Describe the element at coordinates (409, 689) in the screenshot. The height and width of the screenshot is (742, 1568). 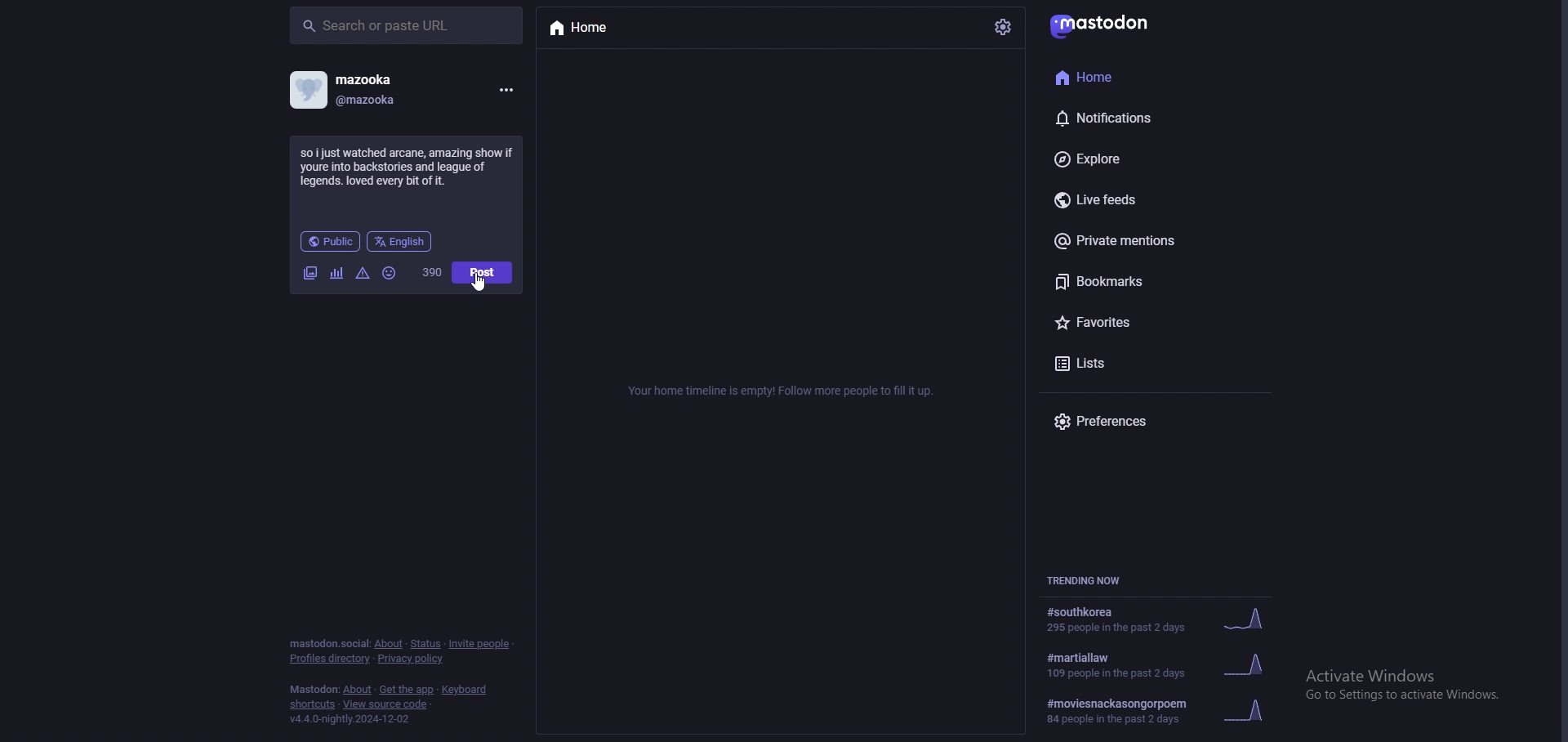
I see `get the app` at that location.